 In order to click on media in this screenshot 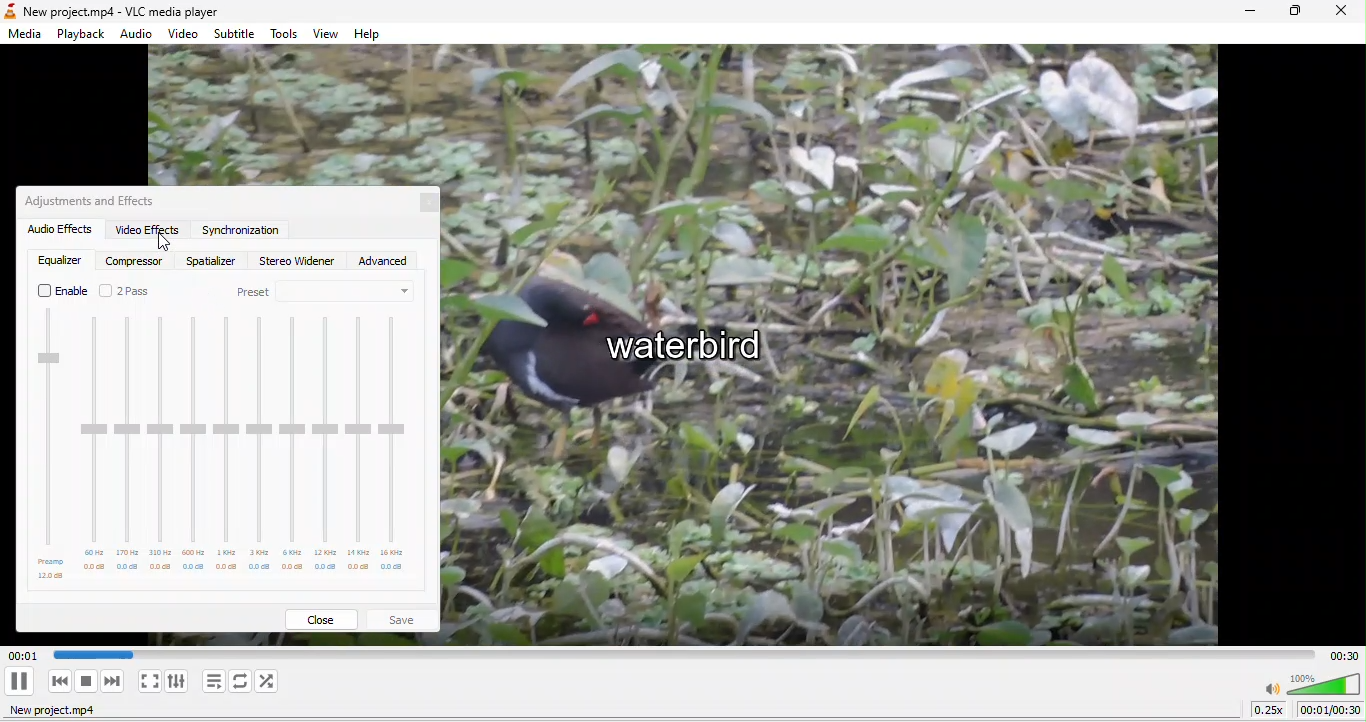, I will do `click(24, 36)`.